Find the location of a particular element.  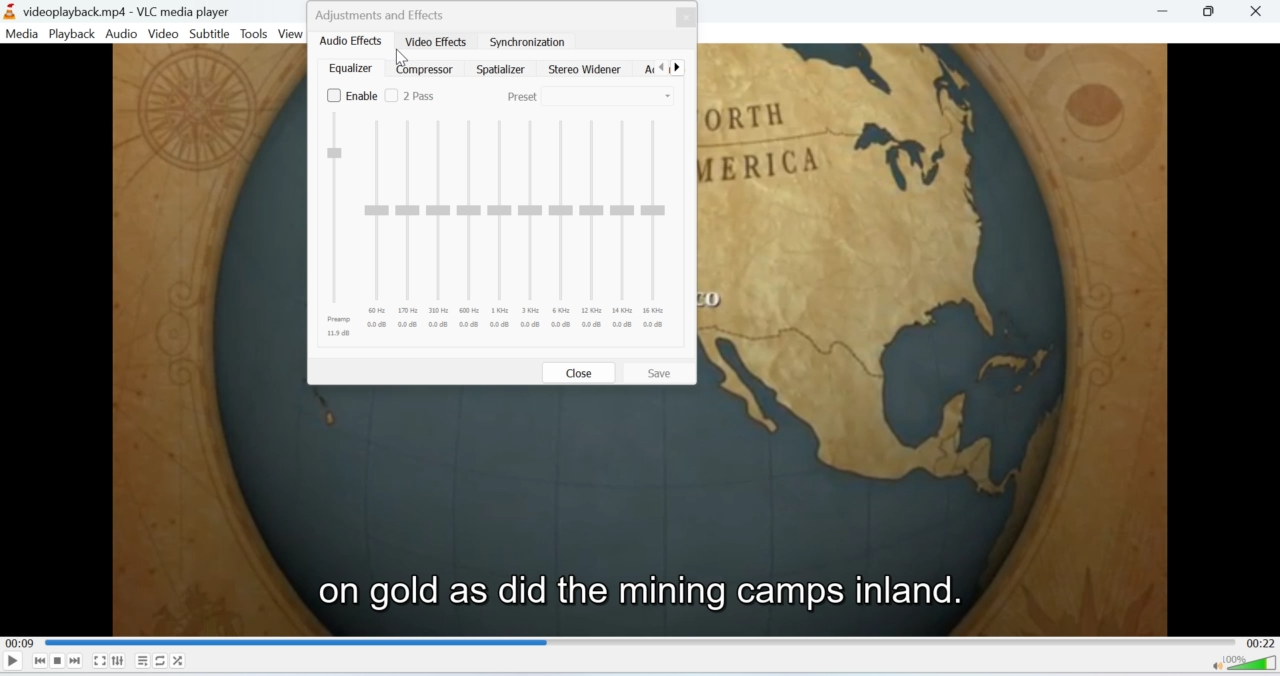

Save is located at coordinates (662, 372).